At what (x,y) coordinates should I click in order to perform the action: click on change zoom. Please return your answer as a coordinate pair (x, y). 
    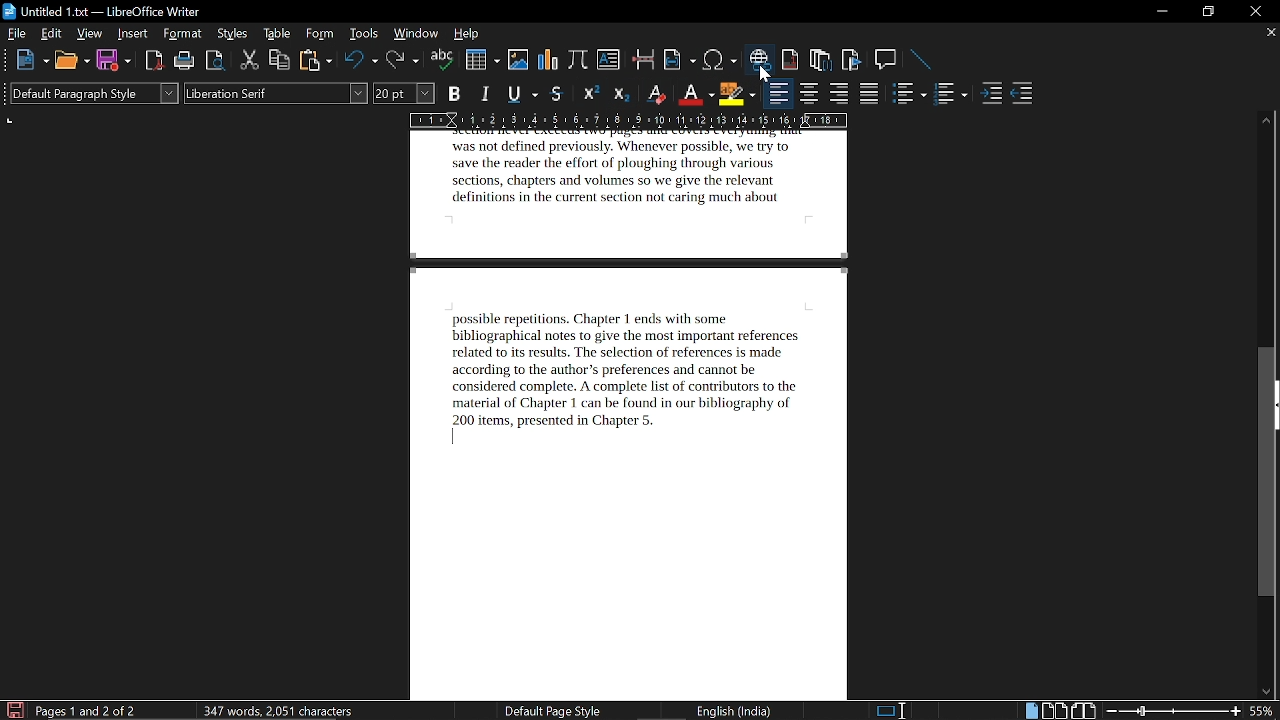
    Looking at the image, I should click on (1172, 711).